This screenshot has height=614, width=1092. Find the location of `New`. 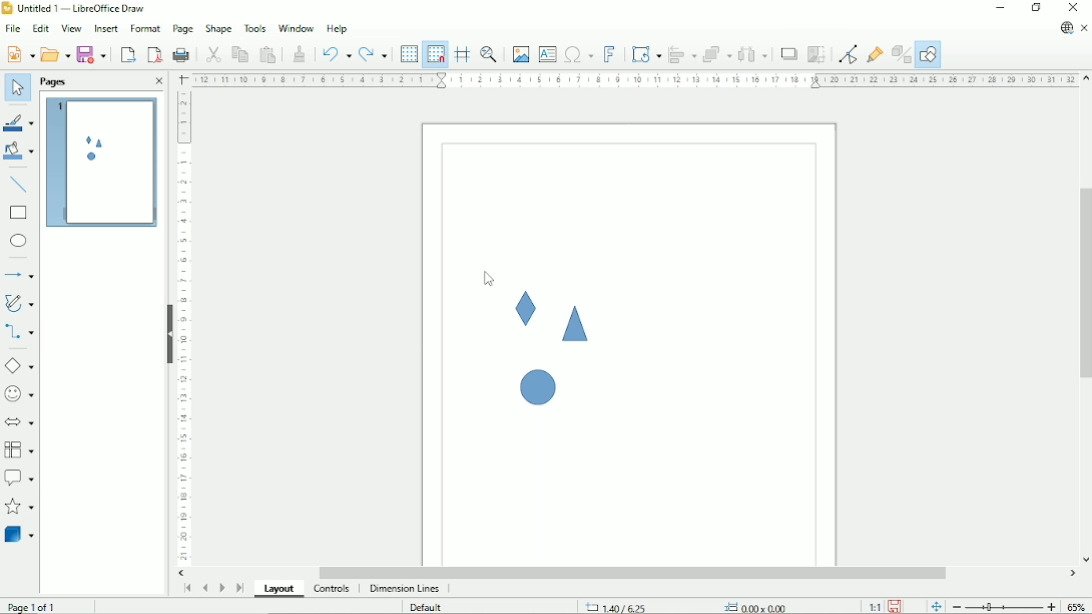

New is located at coordinates (19, 54).